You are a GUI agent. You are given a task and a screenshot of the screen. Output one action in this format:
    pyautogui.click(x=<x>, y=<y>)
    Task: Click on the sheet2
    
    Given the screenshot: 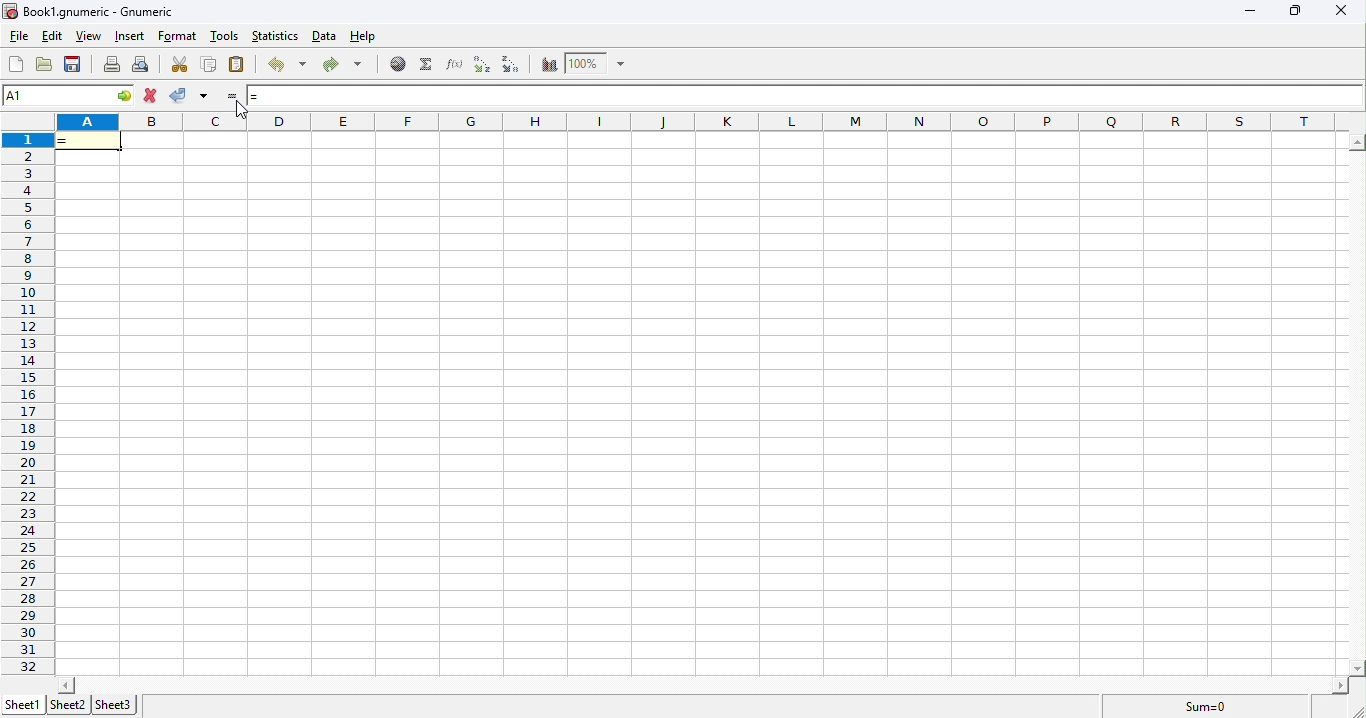 What is the action you would take?
    pyautogui.click(x=68, y=704)
    